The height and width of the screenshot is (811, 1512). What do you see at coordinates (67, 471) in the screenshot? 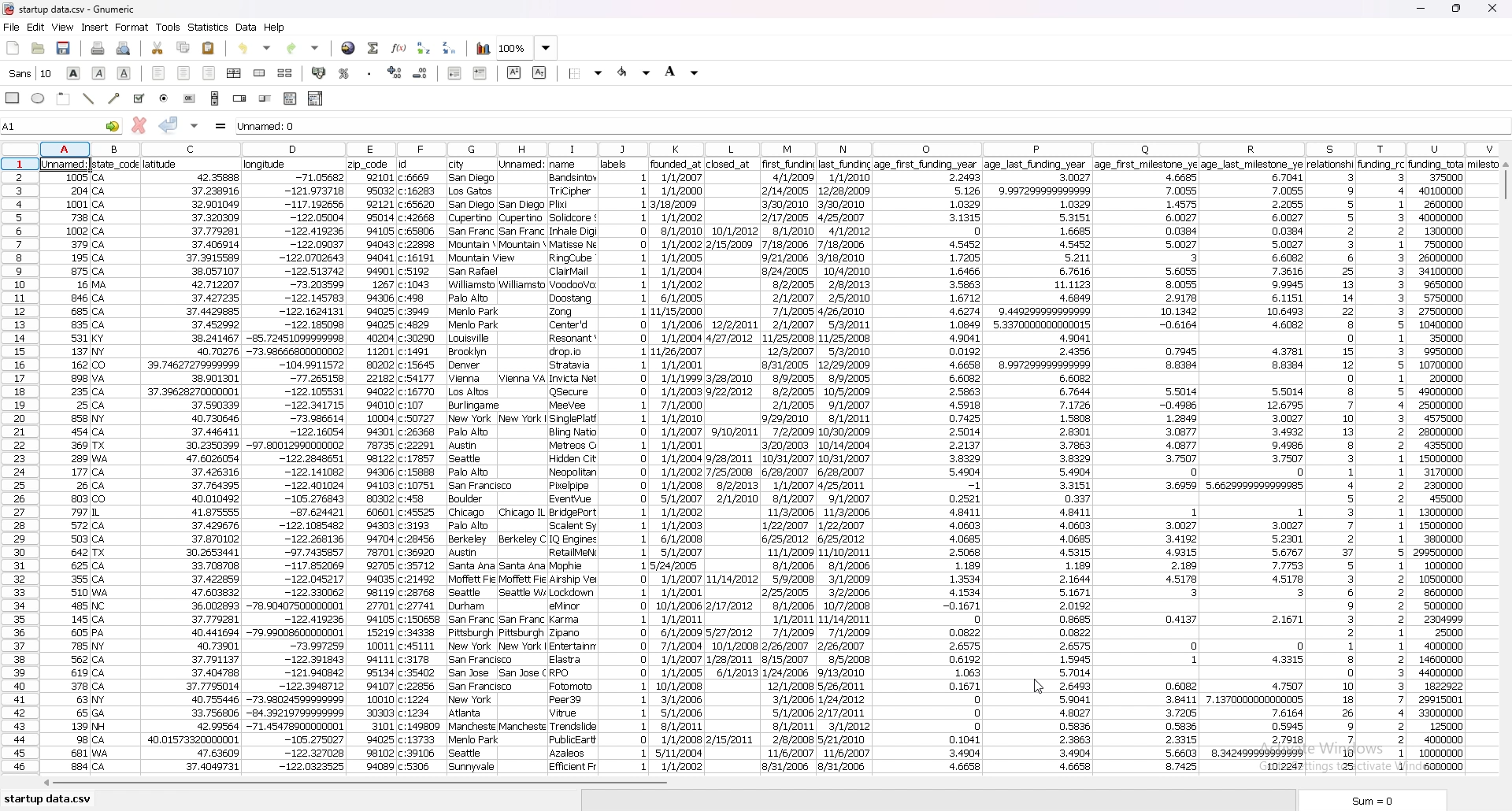
I see `data` at bounding box center [67, 471].